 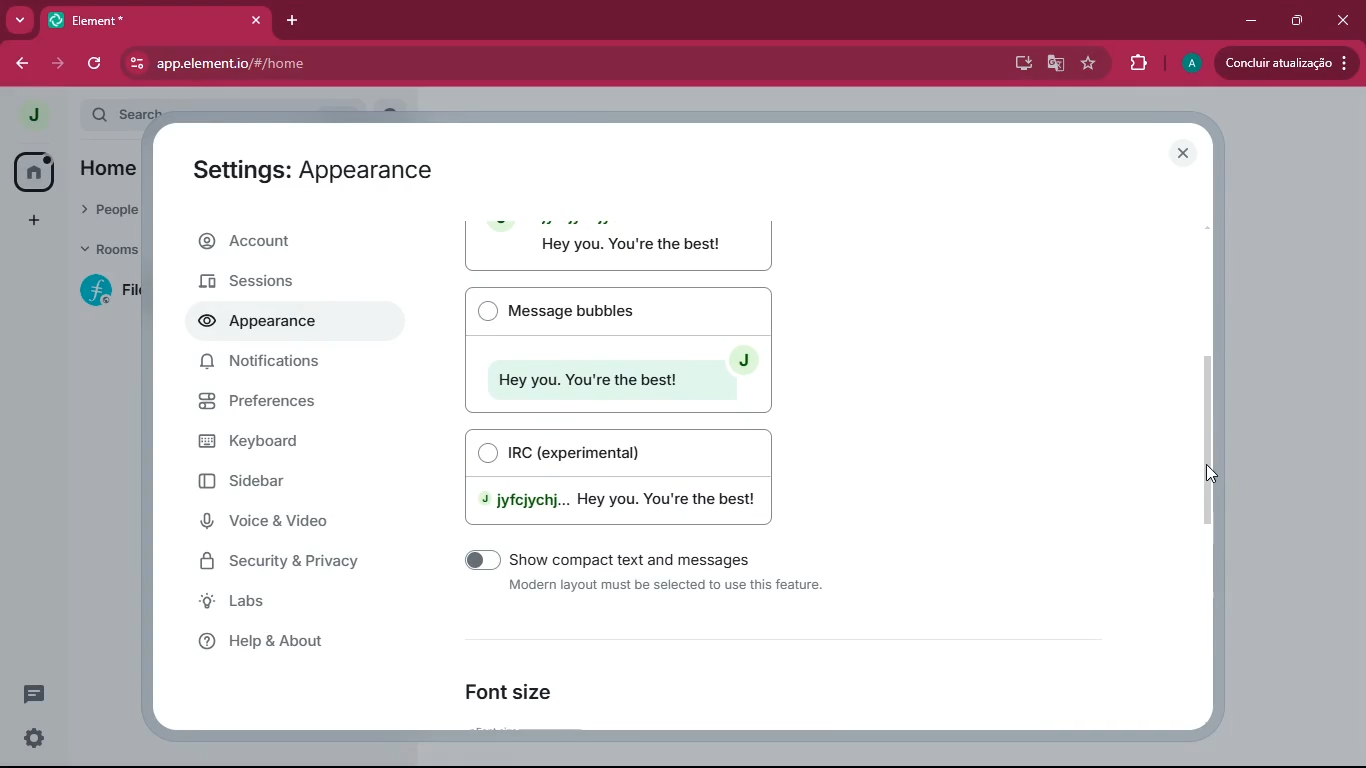 What do you see at coordinates (294, 20) in the screenshot?
I see `add tab` at bounding box center [294, 20].